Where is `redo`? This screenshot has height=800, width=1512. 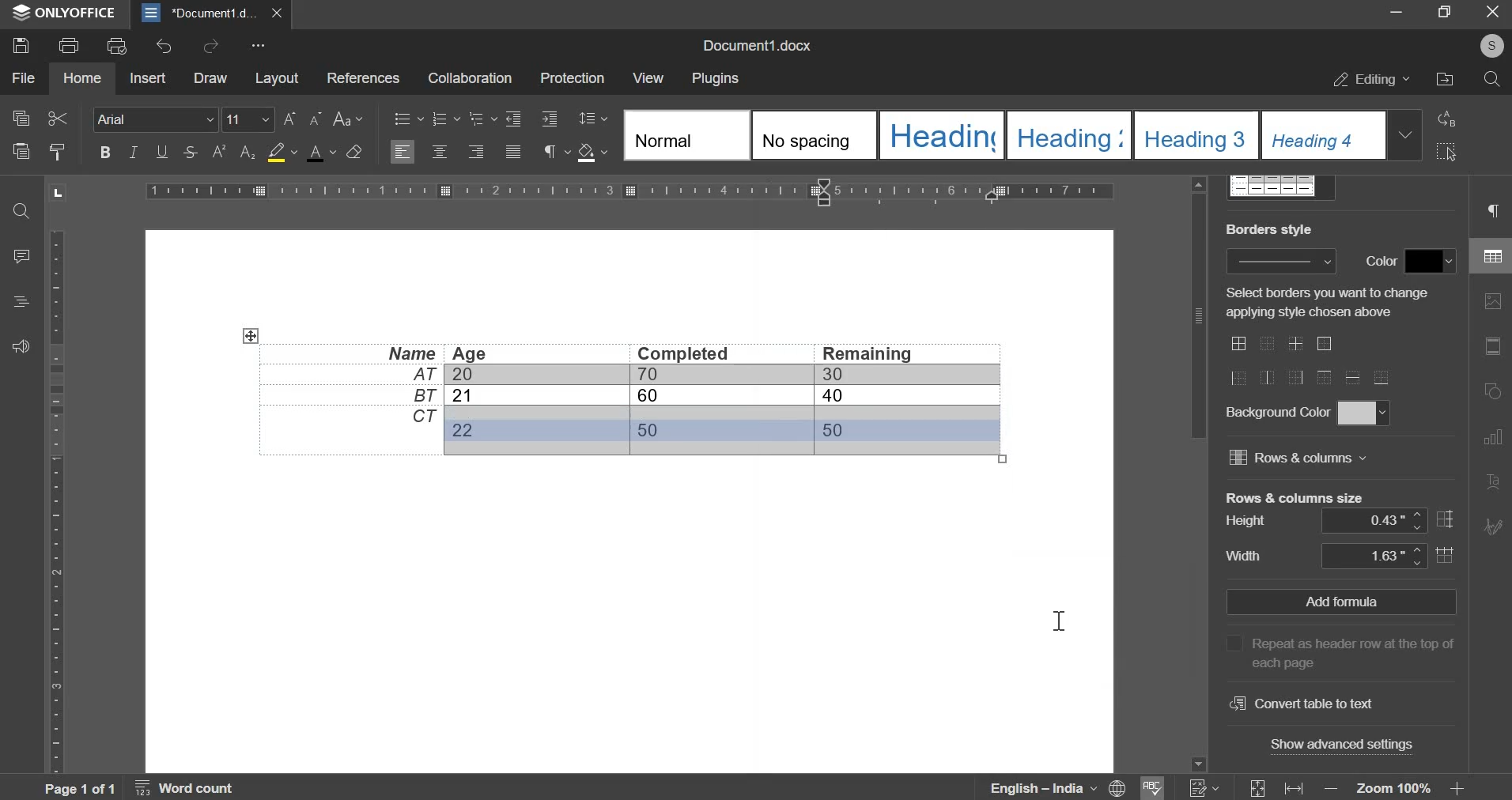 redo is located at coordinates (211, 48).